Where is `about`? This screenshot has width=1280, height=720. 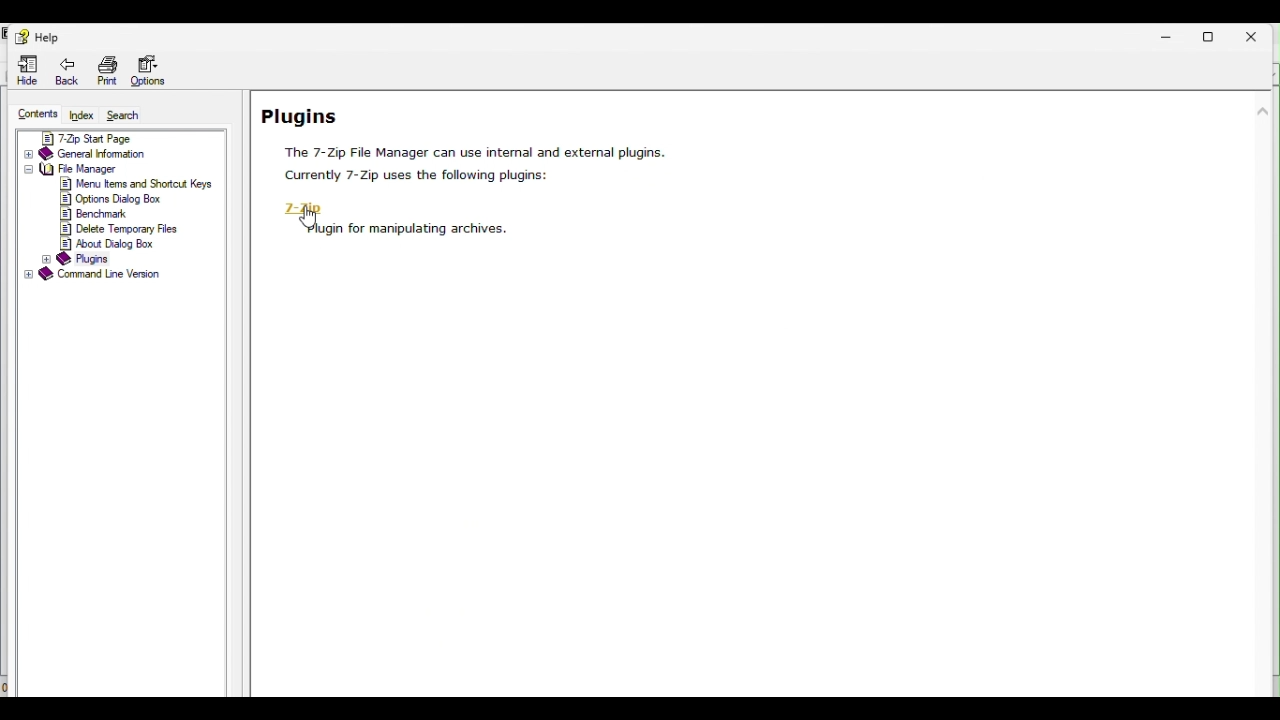 about is located at coordinates (110, 243).